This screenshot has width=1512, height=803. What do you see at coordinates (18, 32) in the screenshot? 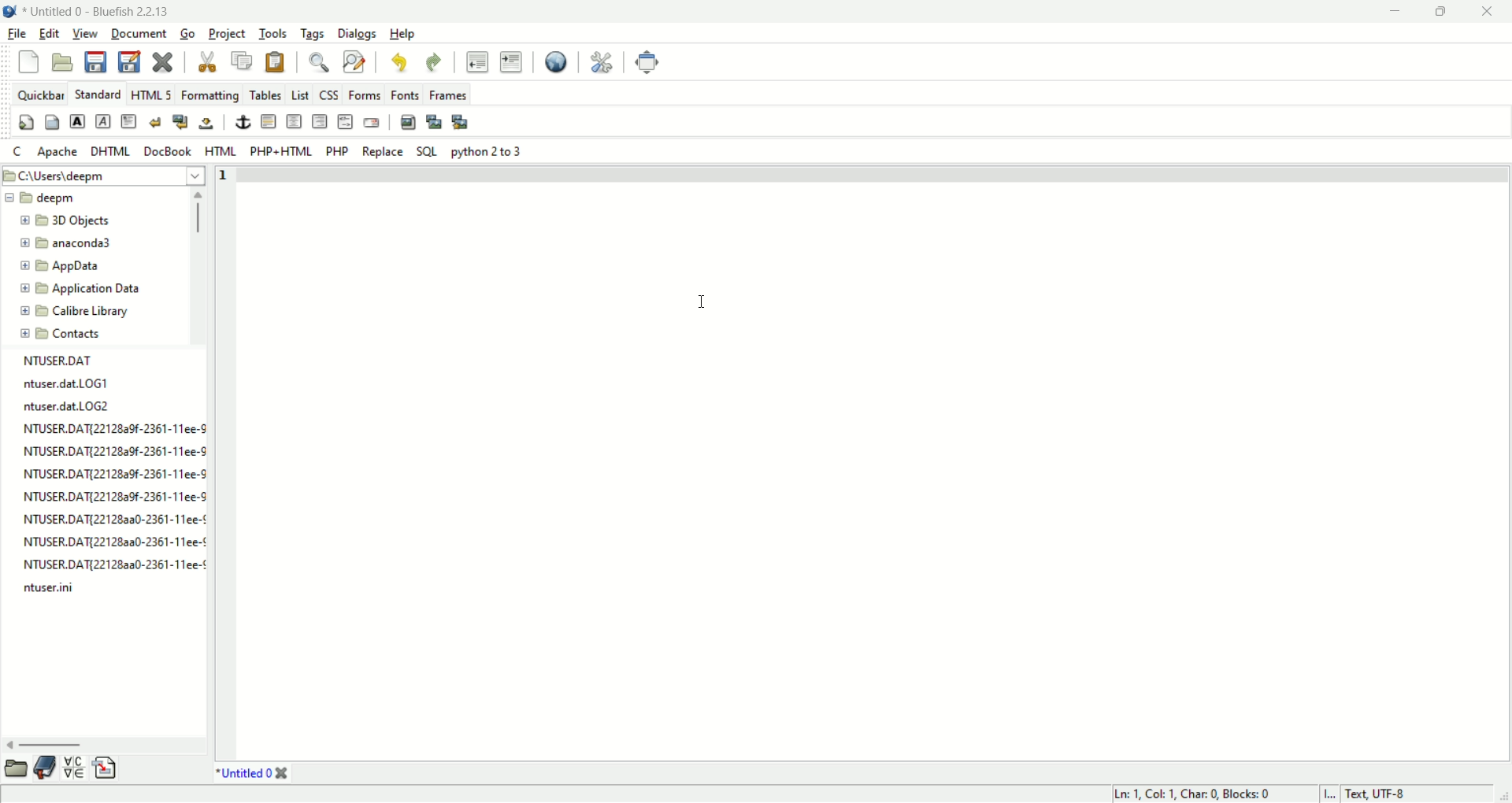
I see `file` at bounding box center [18, 32].